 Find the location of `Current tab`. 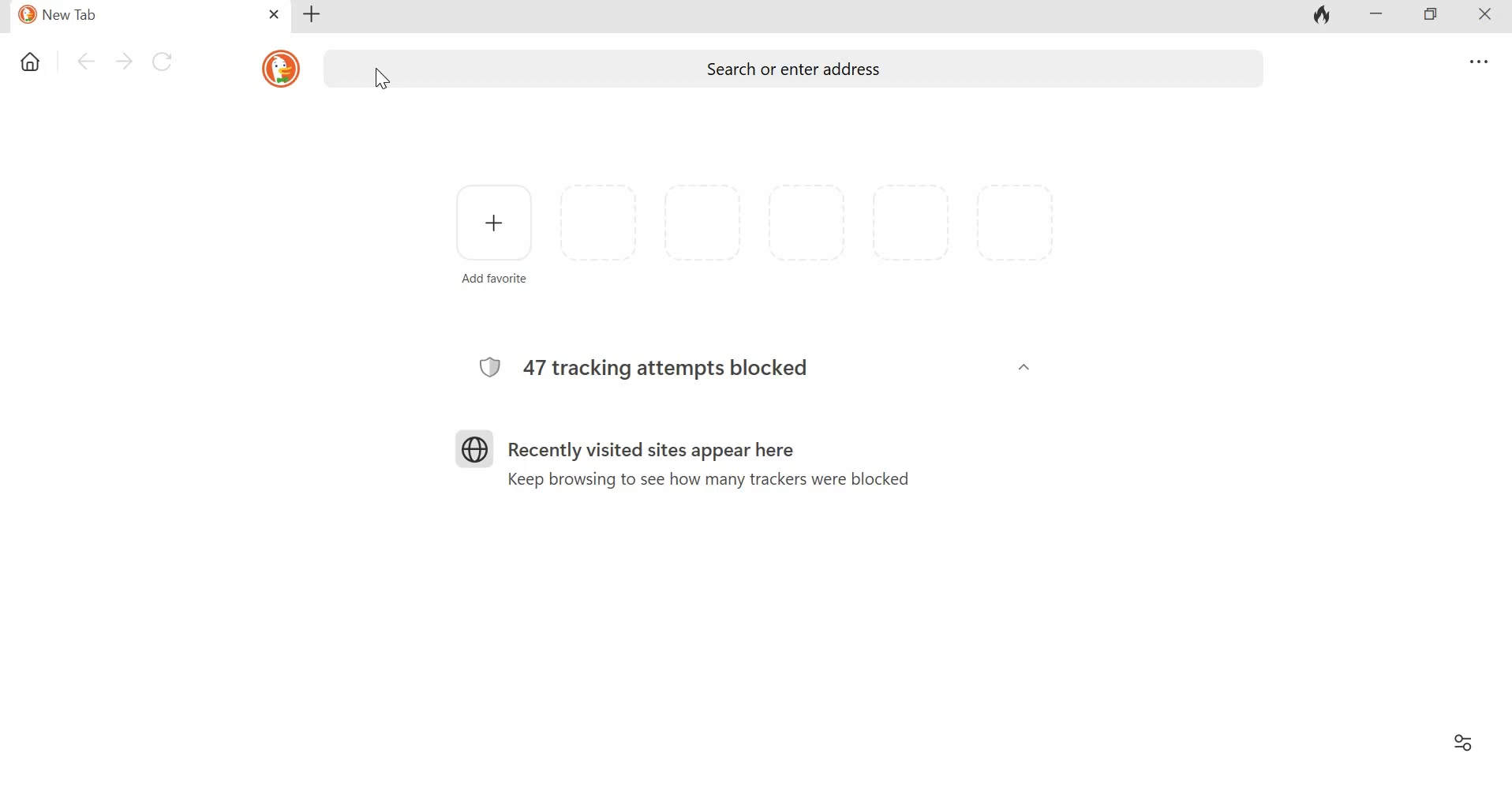

Current tab is located at coordinates (131, 16).